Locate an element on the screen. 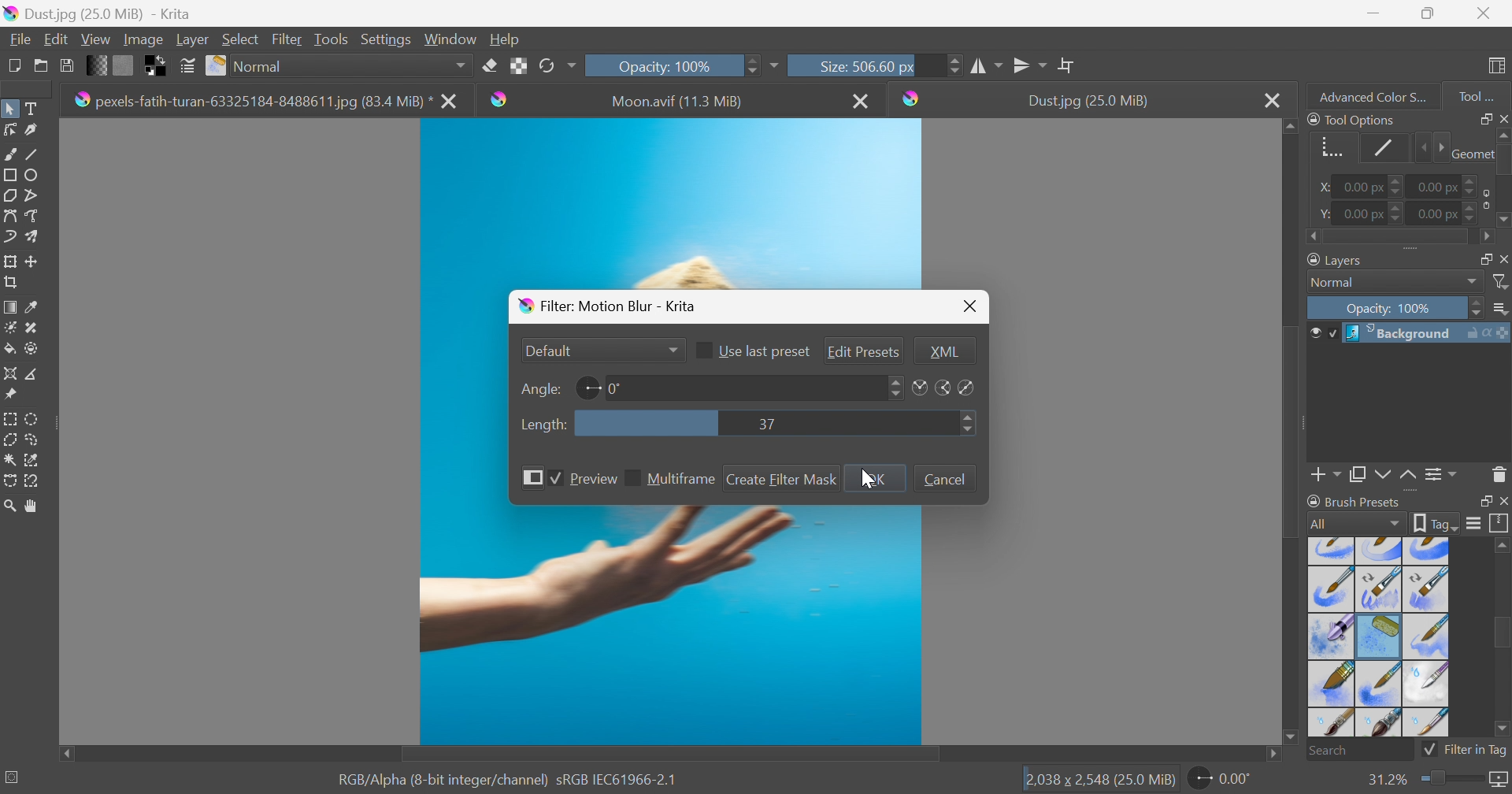 Image resolution: width=1512 pixels, height=794 pixels. Dust.jpg (25.0 MB) is located at coordinates (97, 13).